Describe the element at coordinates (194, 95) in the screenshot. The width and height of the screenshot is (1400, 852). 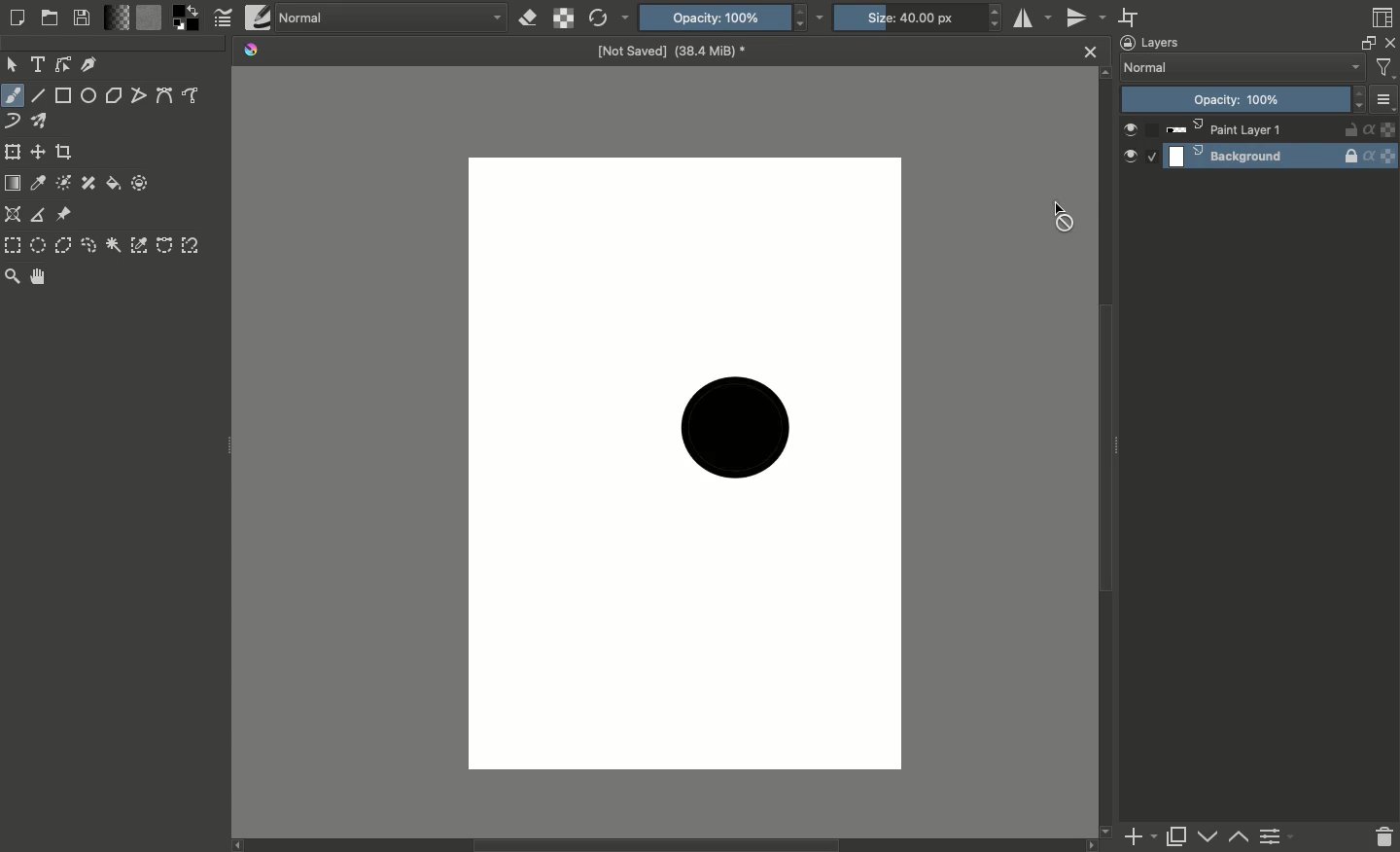
I see `Freehand path` at that location.